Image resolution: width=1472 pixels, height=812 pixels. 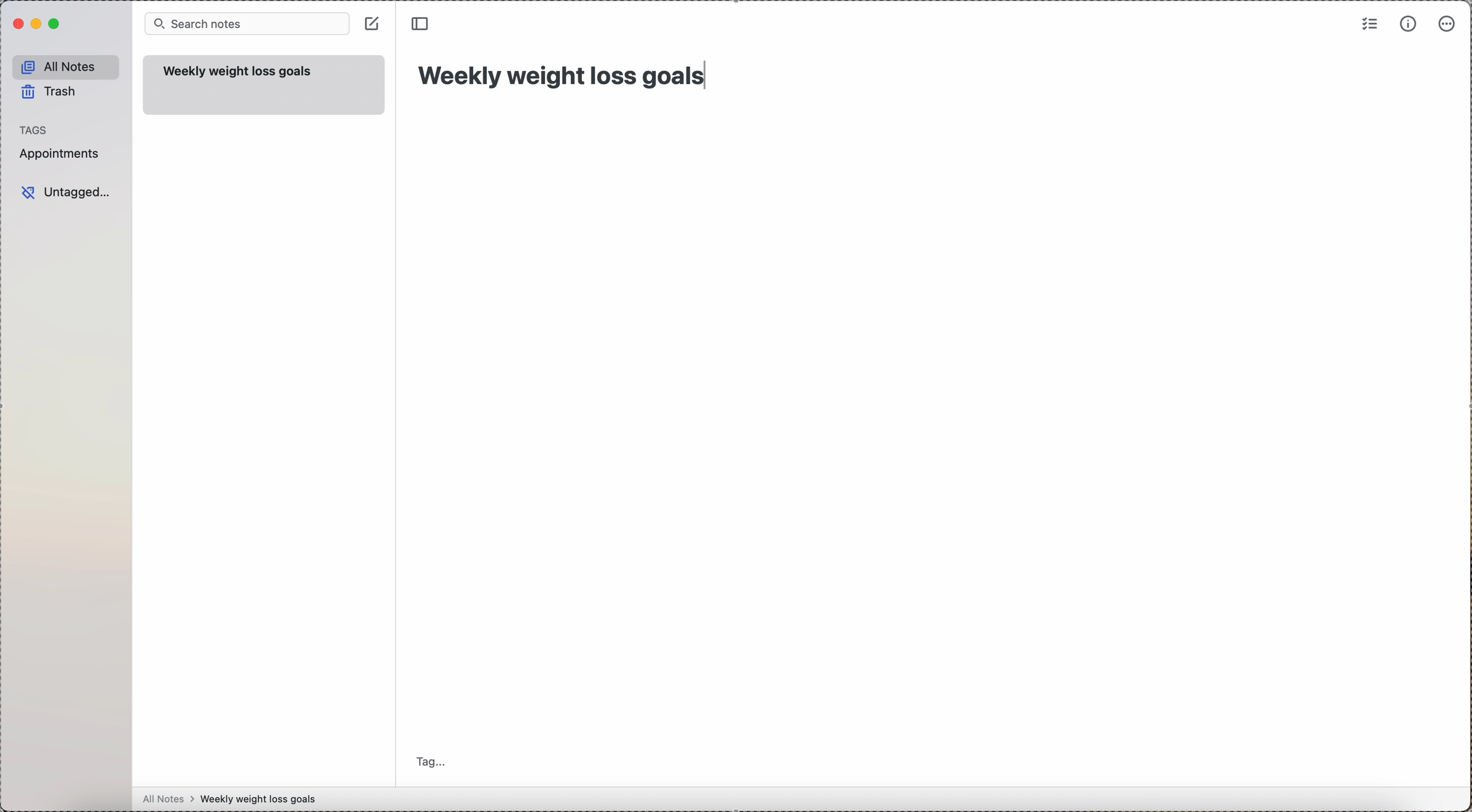 I want to click on minimize Simplenote, so click(x=38, y=23).